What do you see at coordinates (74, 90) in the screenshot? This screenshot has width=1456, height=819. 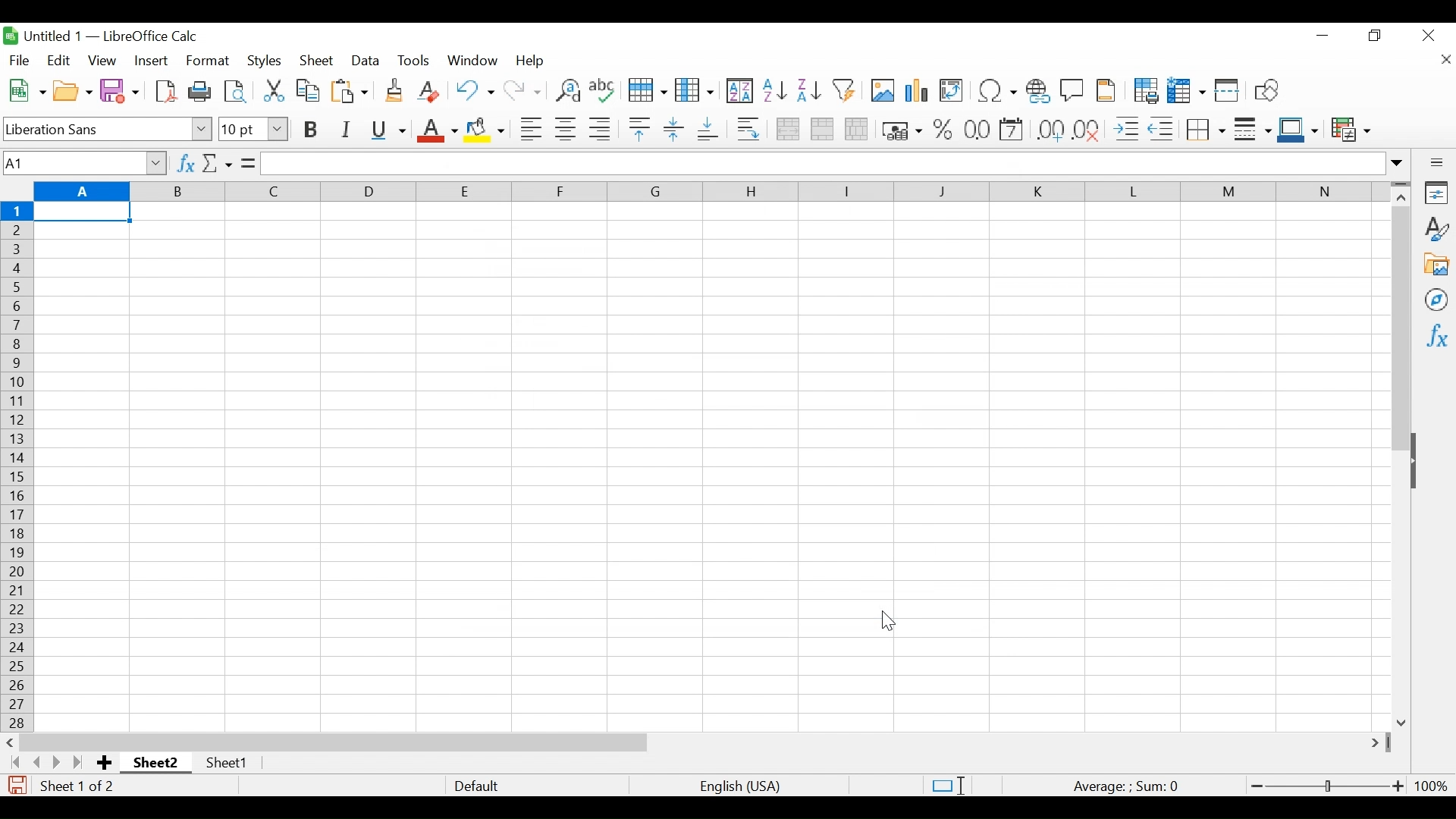 I see `Open` at bounding box center [74, 90].